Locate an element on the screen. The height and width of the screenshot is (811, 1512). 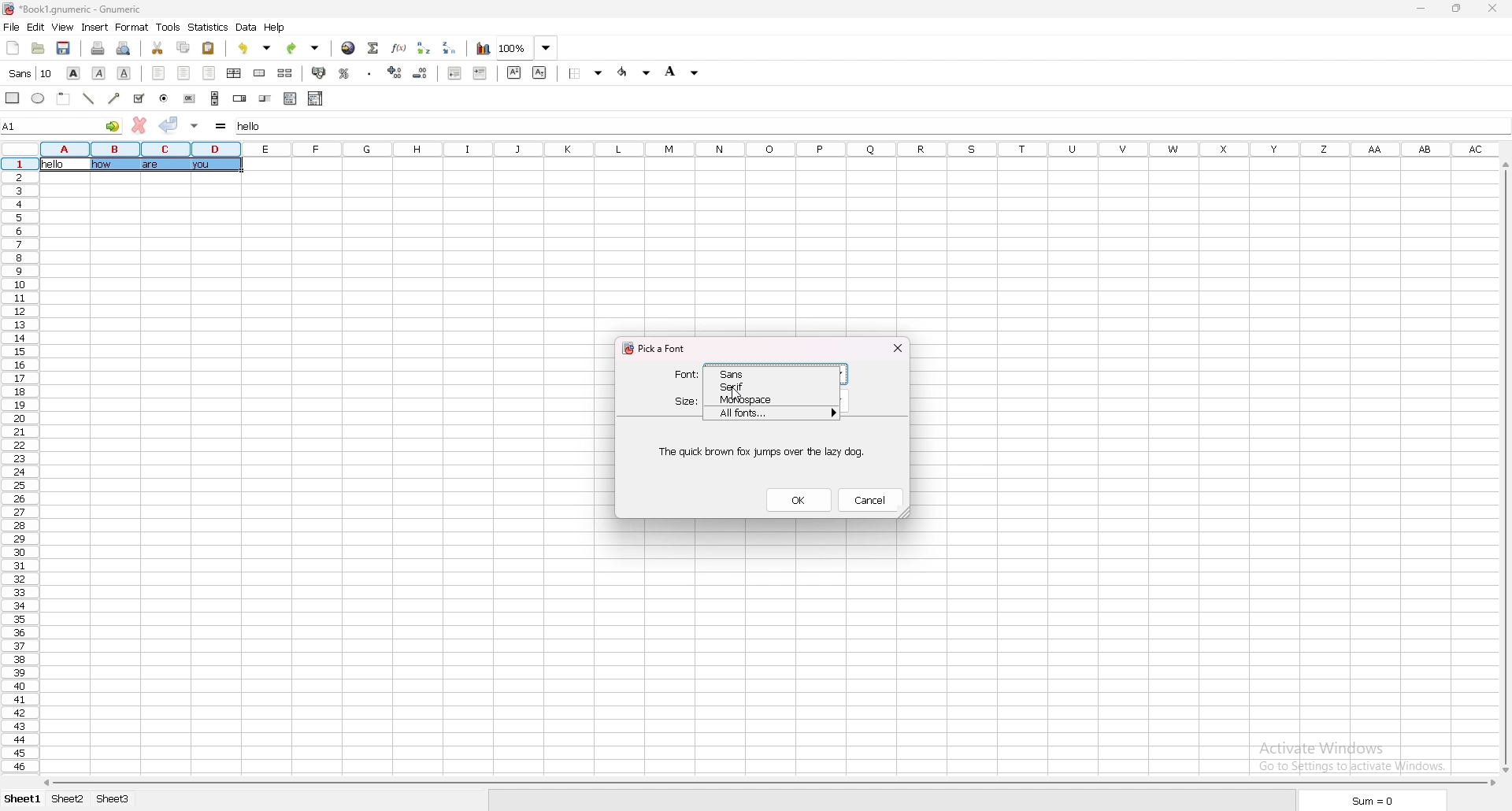
redo is located at coordinates (304, 47).